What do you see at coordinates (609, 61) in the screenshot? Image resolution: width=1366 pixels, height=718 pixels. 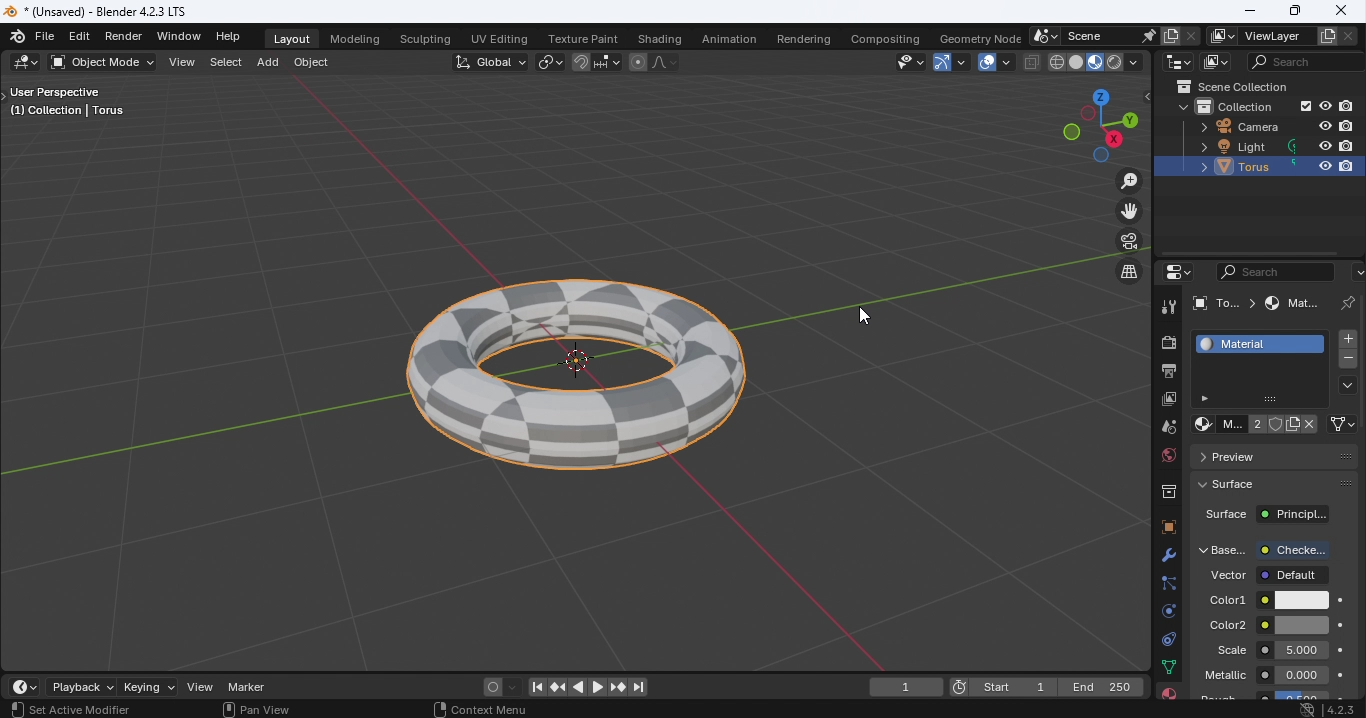 I see `Snapping` at bounding box center [609, 61].